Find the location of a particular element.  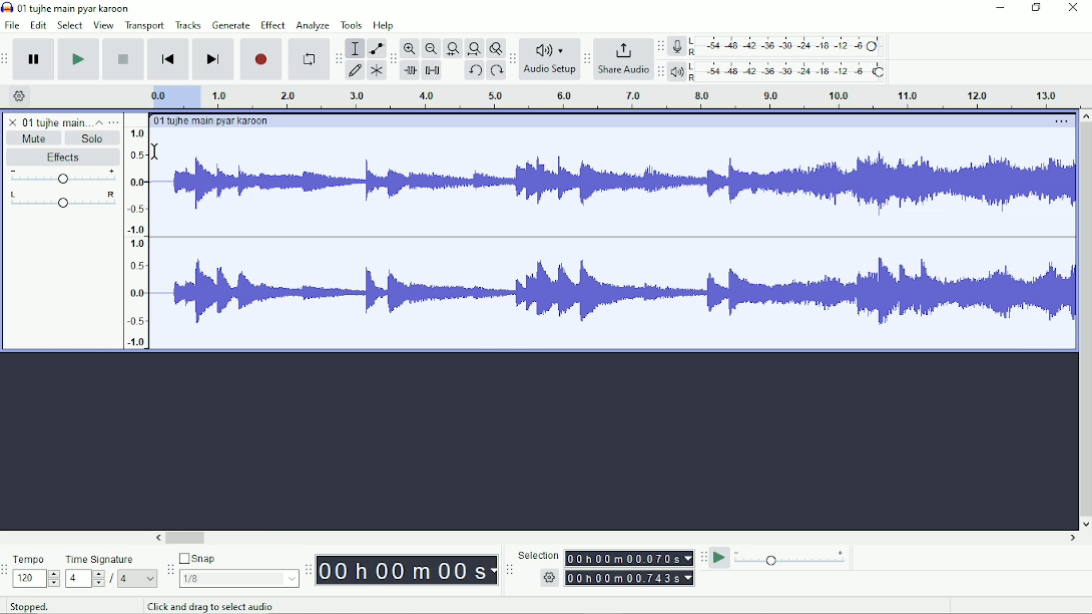

Cursor is located at coordinates (156, 150).